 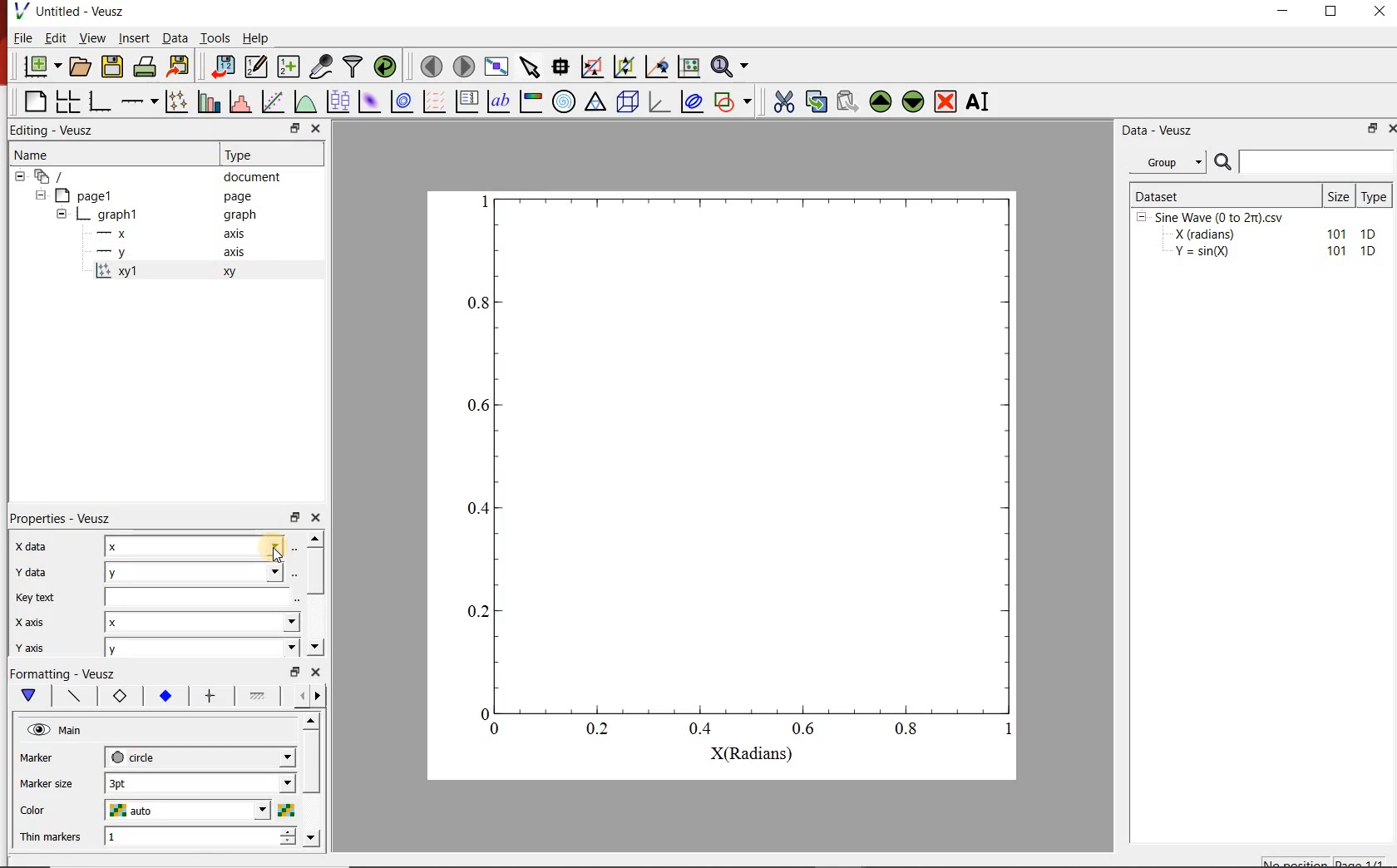 I want to click on Horizontal scrollbar, so click(x=313, y=778).